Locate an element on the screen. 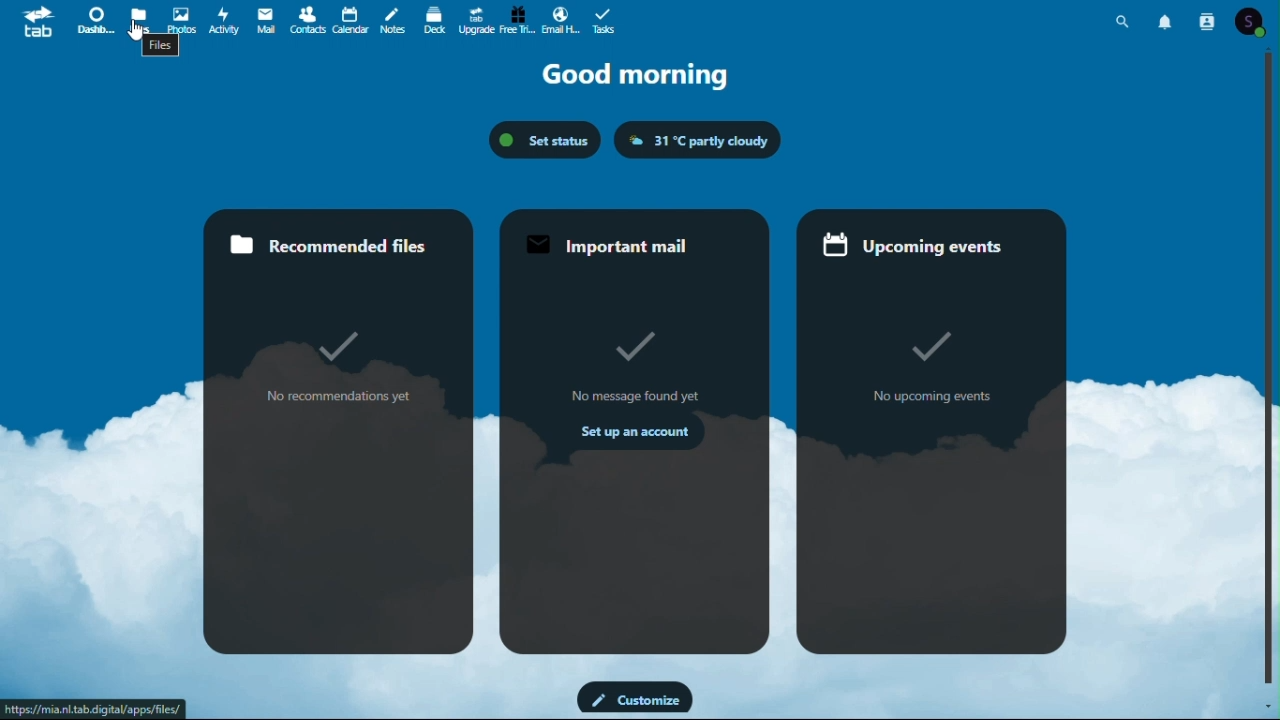  vertical scroll bar is located at coordinates (1272, 370).